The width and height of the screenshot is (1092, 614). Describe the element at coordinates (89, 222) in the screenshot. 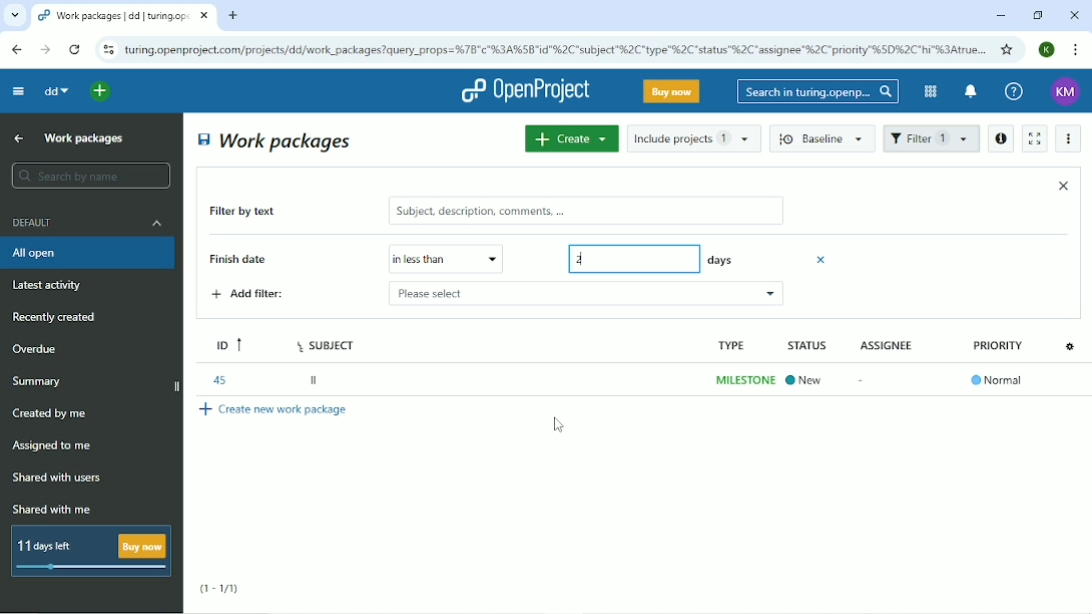

I see `Default` at that location.